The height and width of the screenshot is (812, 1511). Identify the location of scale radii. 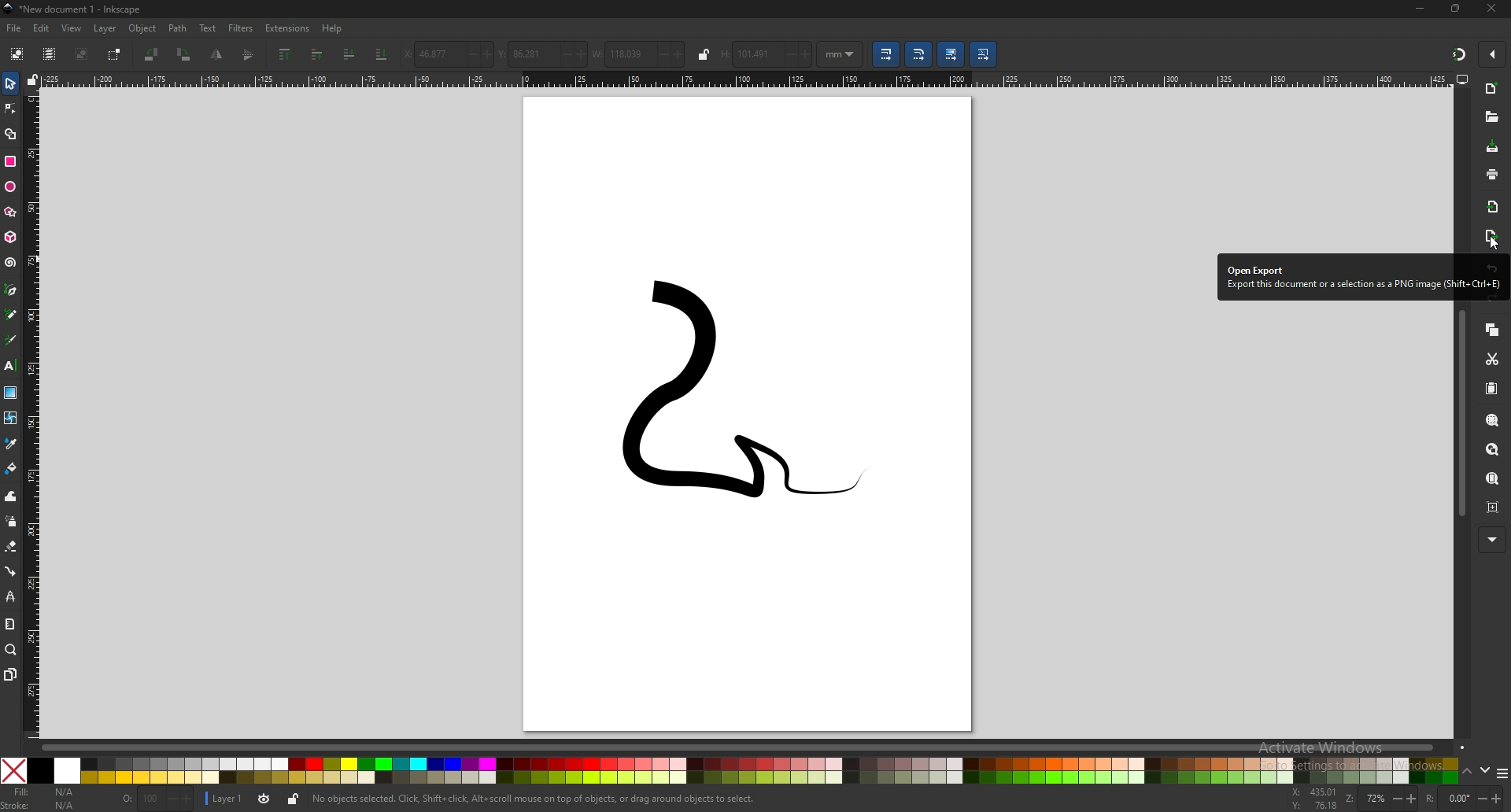
(920, 54).